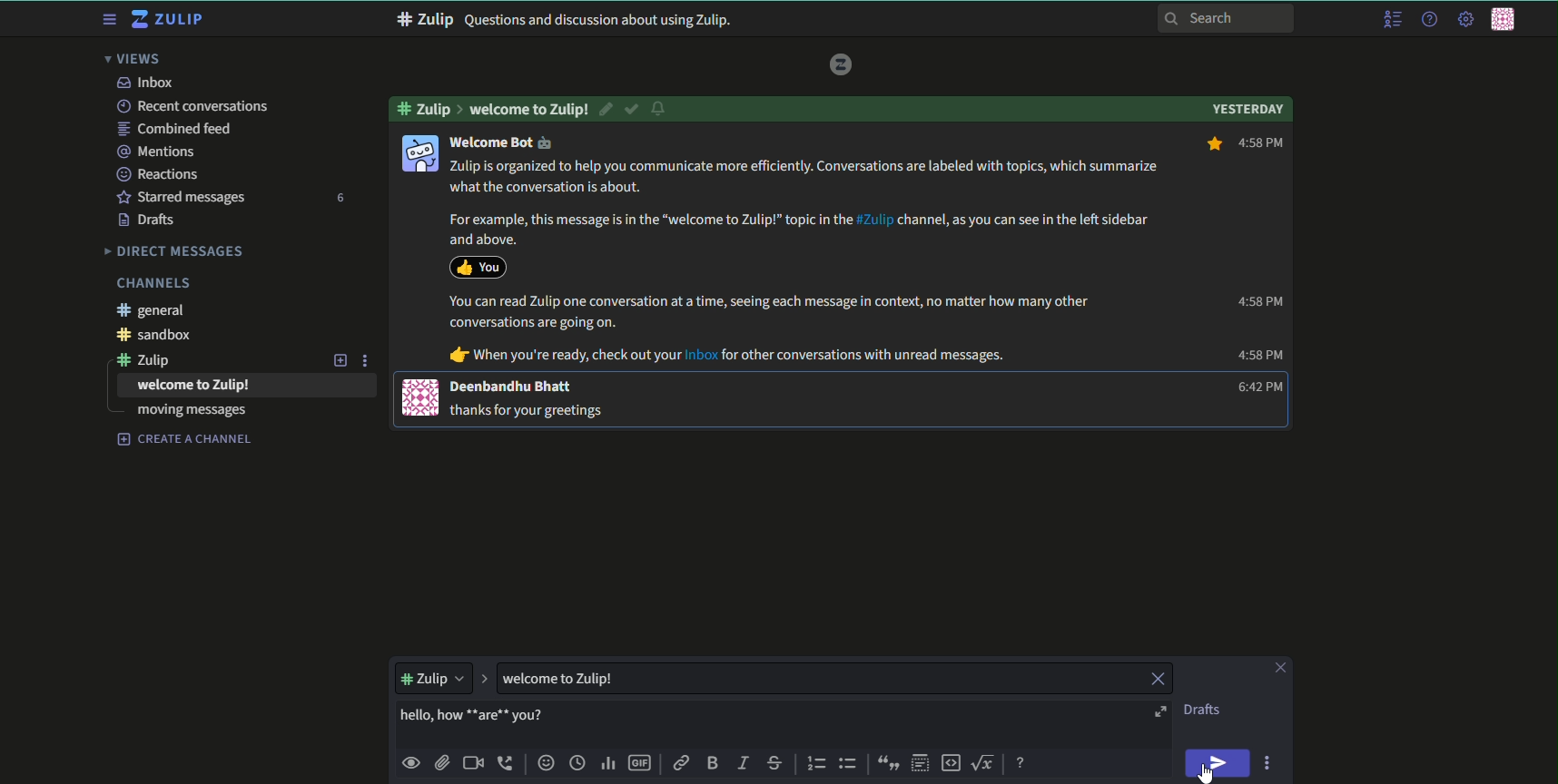 This screenshot has height=784, width=1558. I want to click on math, so click(986, 761).